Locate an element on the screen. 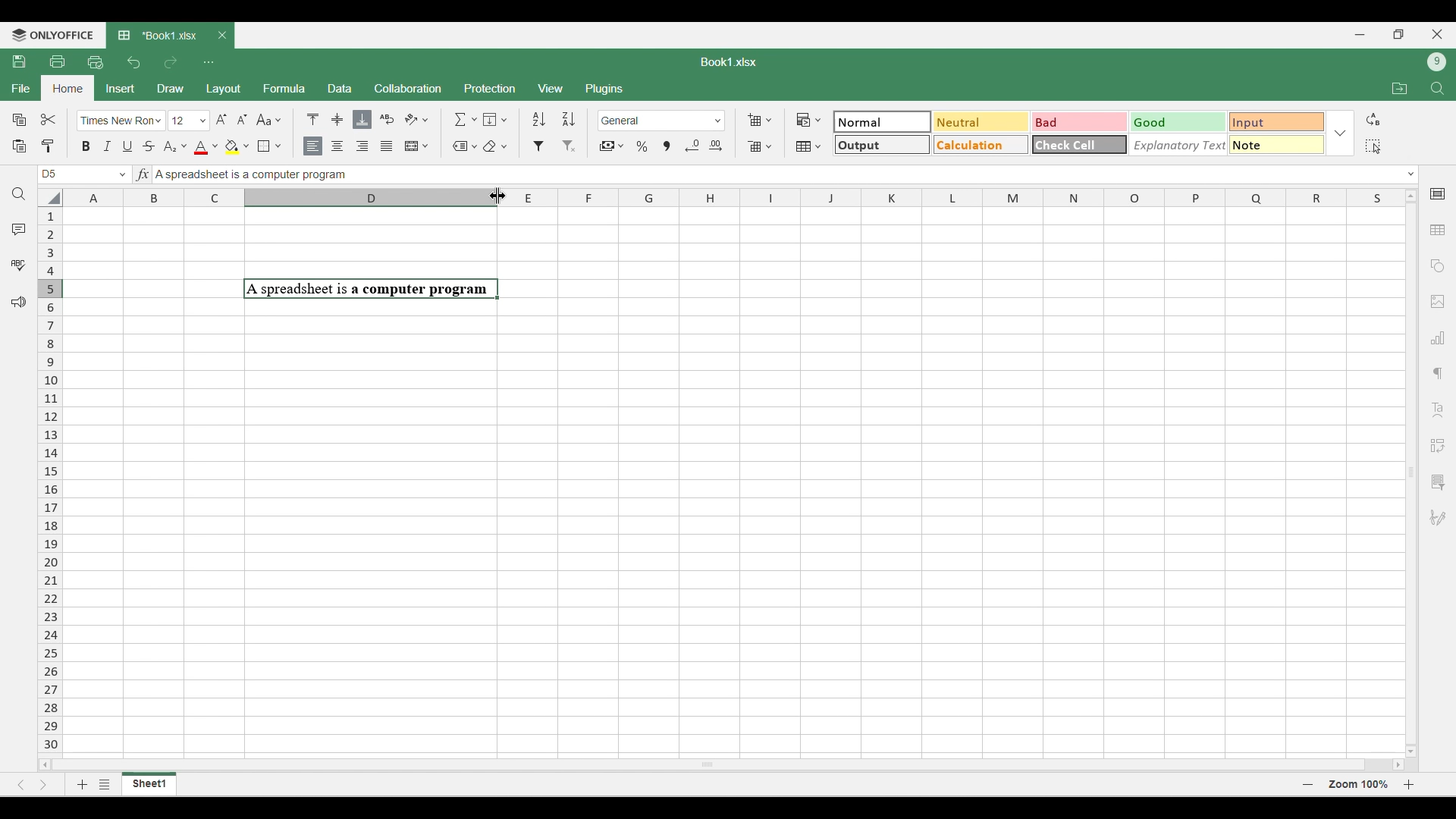 The image size is (1456, 819). Underline is located at coordinates (127, 146).